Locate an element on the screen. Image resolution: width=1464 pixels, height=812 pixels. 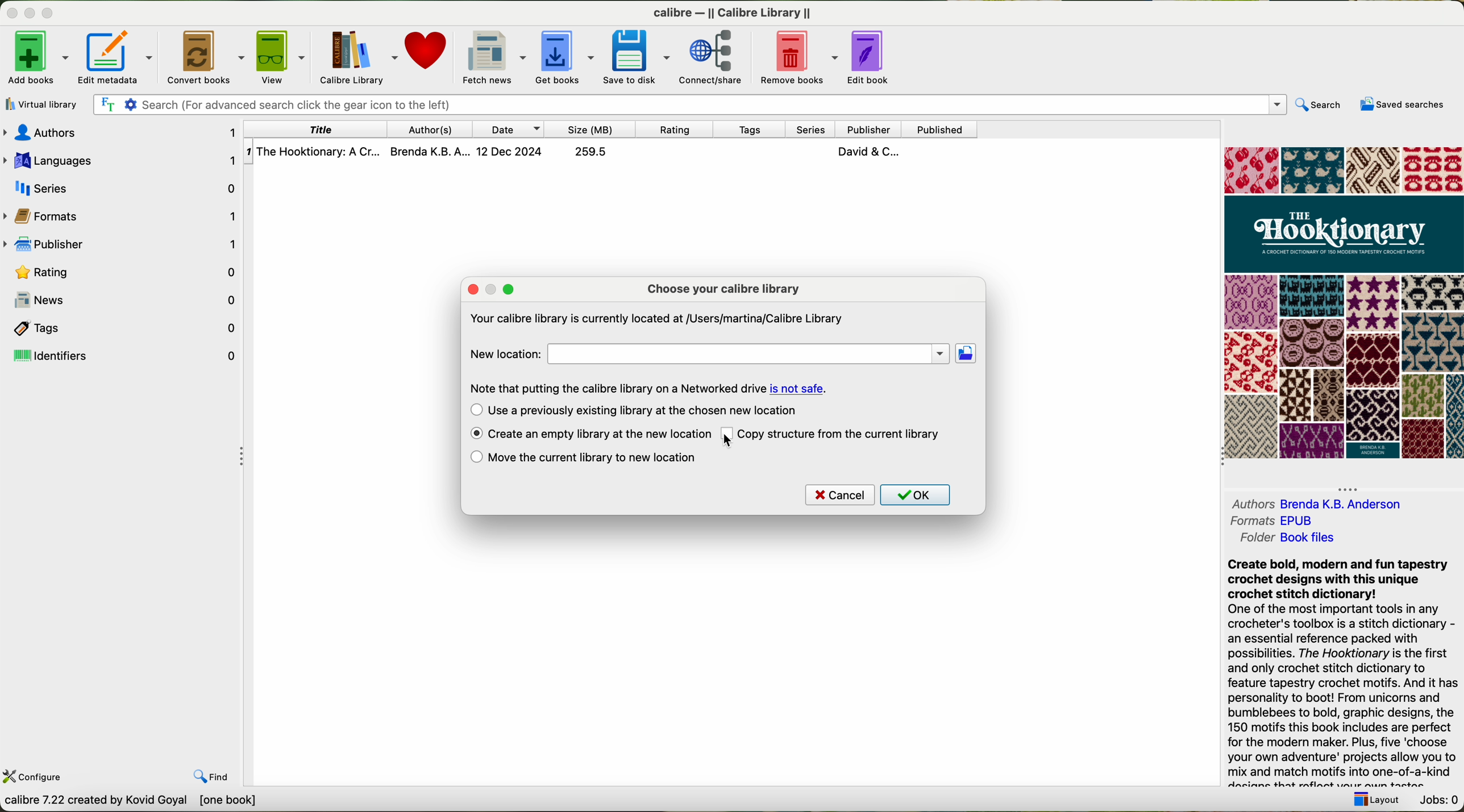
languages is located at coordinates (121, 159).